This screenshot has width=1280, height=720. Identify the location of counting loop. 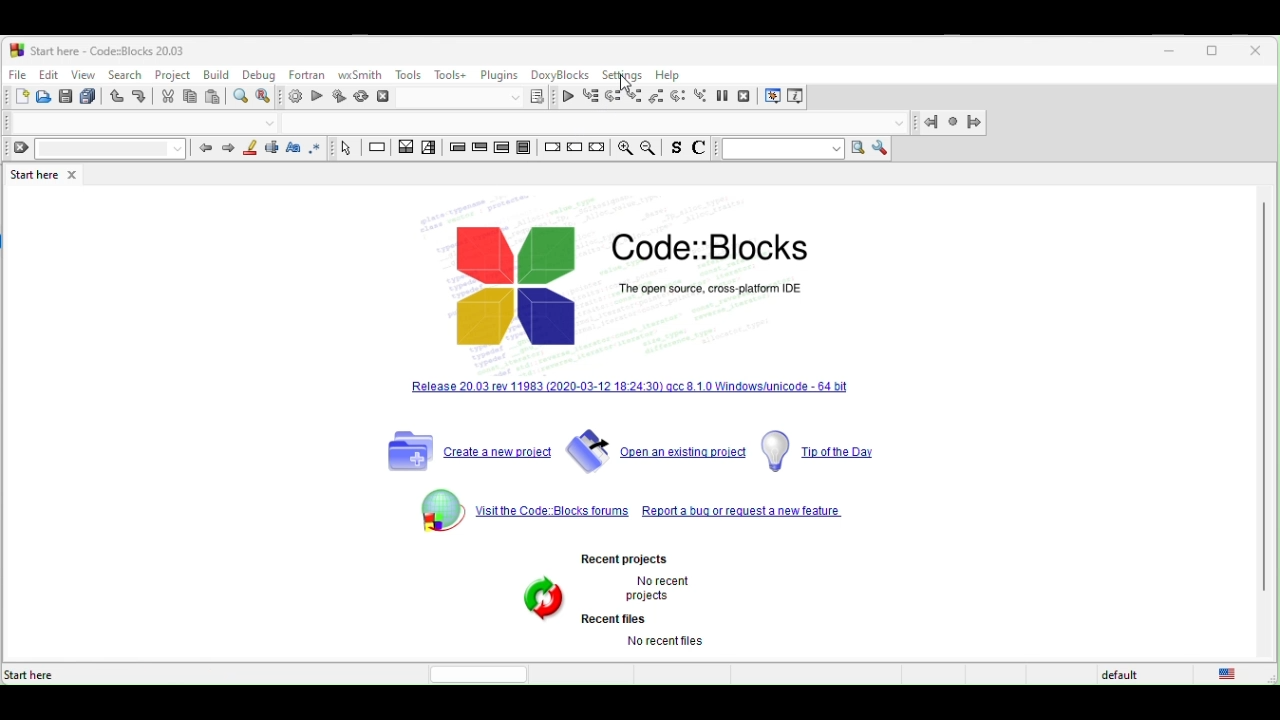
(504, 148).